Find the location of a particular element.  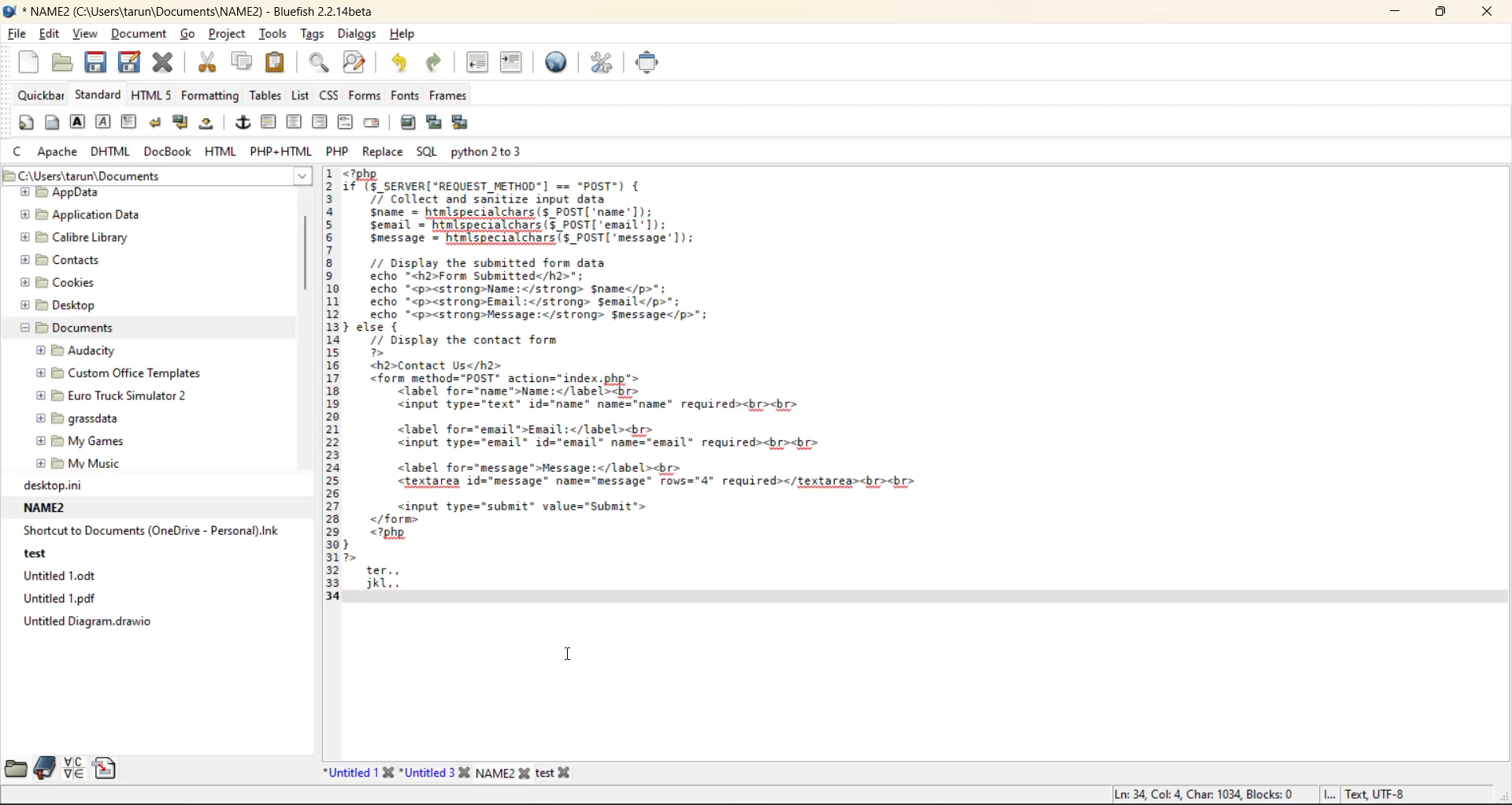

Audacity is located at coordinates (81, 351).